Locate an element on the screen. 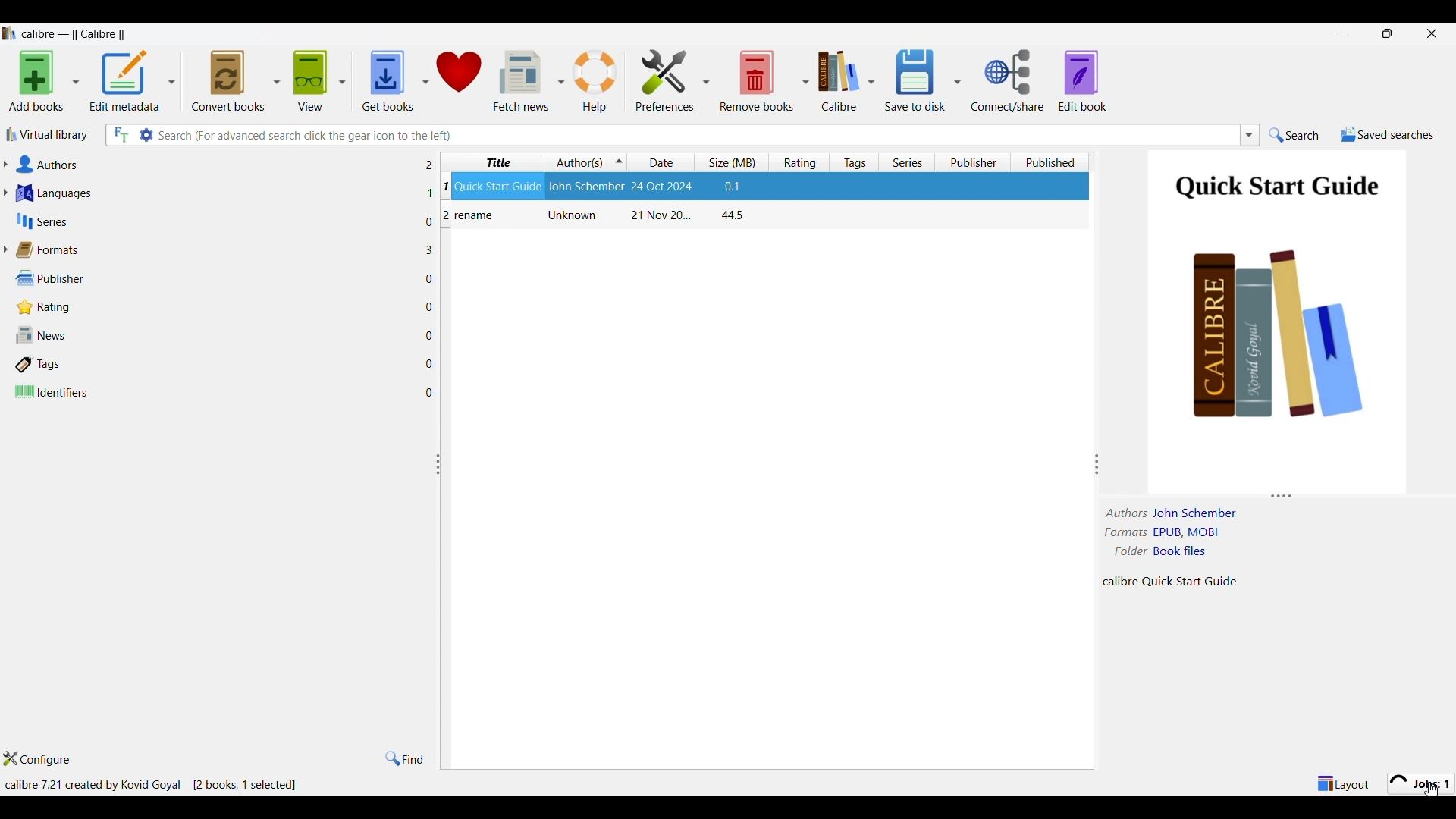  Rating column is located at coordinates (798, 162).